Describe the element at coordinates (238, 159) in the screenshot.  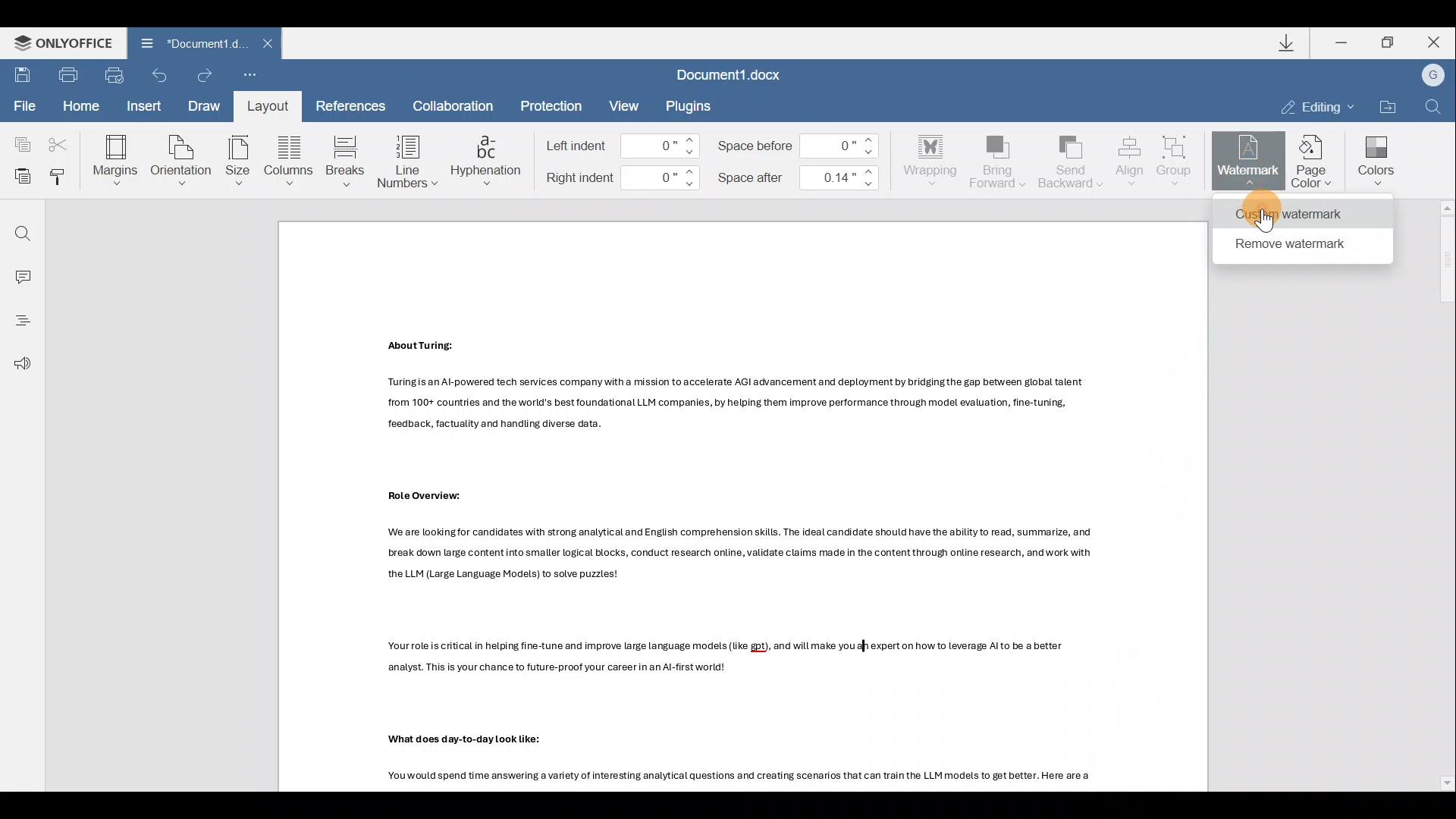
I see `Size` at that location.